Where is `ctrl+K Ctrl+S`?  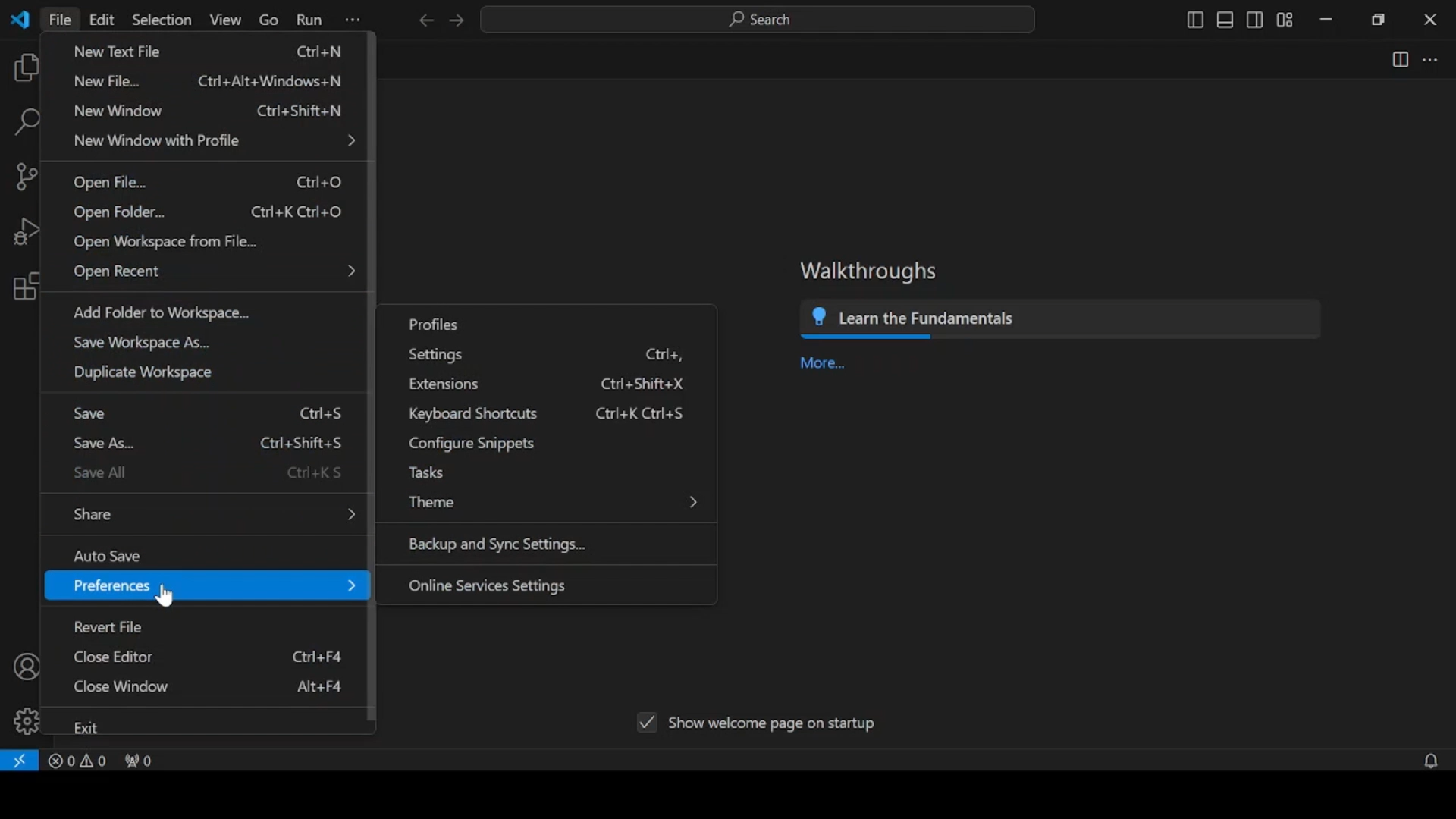
ctrl+K Ctrl+S is located at coordinates (641, 412).